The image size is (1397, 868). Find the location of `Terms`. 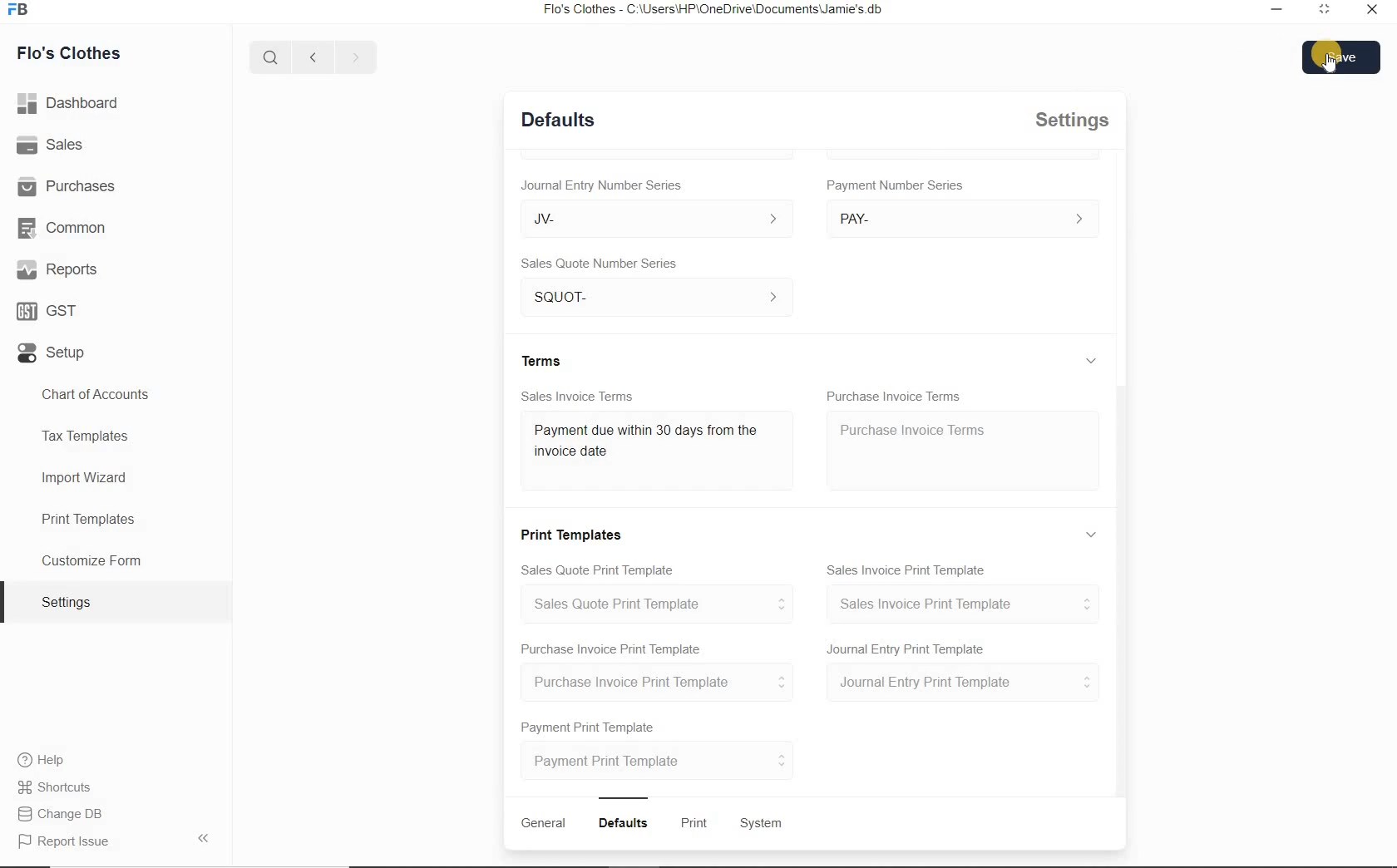

Terms is located at coordinates (541, 359).